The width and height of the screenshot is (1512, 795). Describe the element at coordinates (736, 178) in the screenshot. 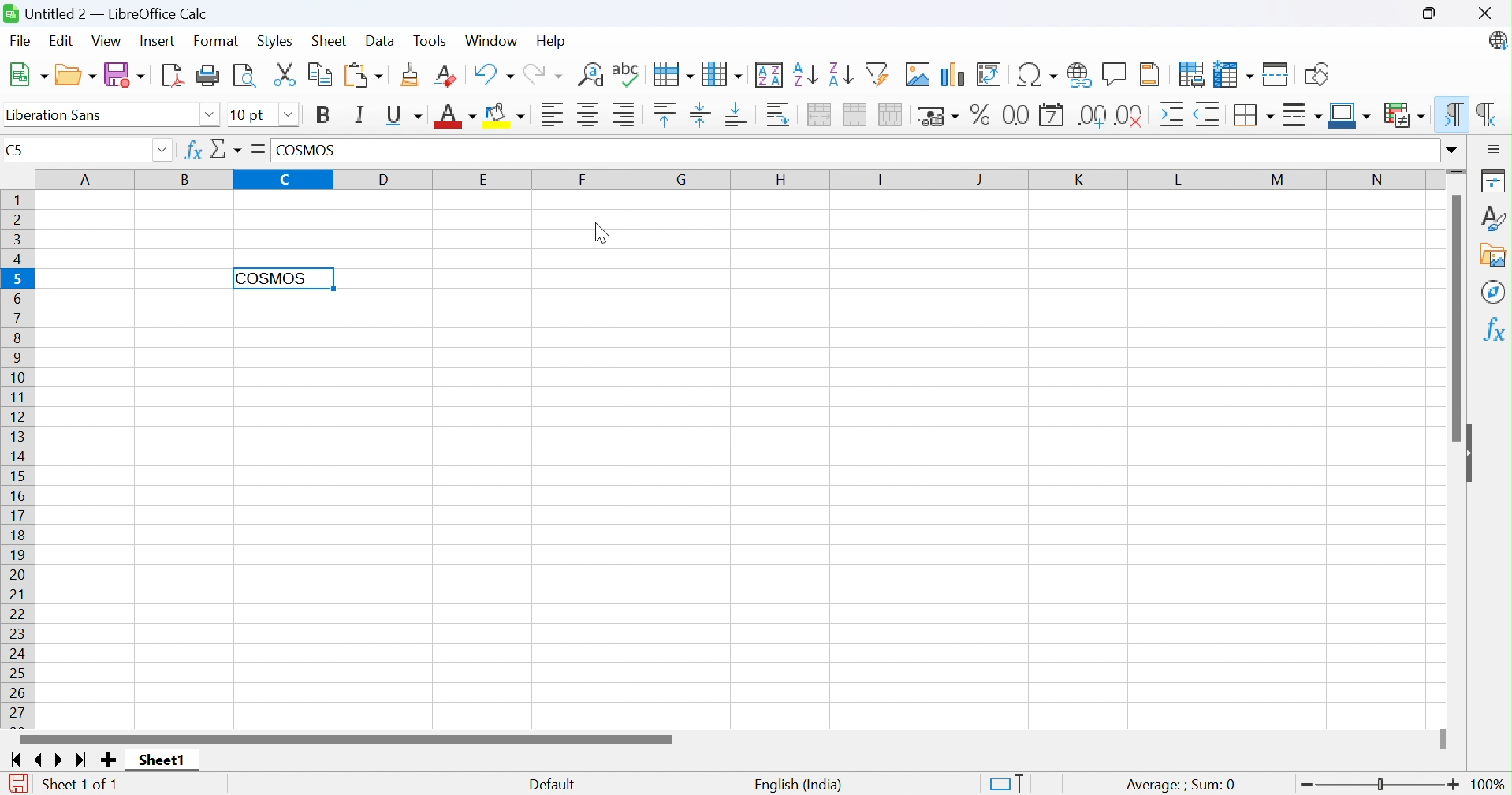

I see `Column names` at that location.